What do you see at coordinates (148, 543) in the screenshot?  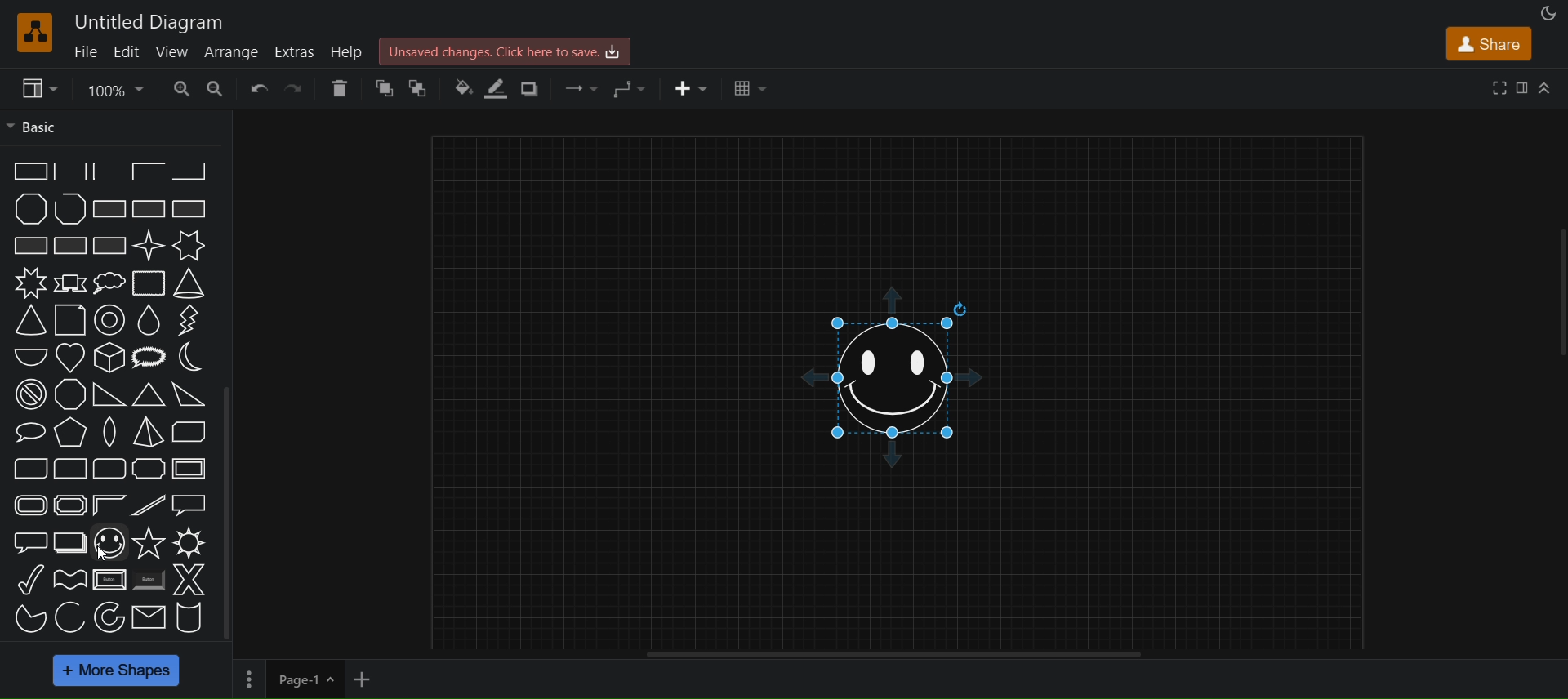 I see `star` at bounding box center [148, 543].